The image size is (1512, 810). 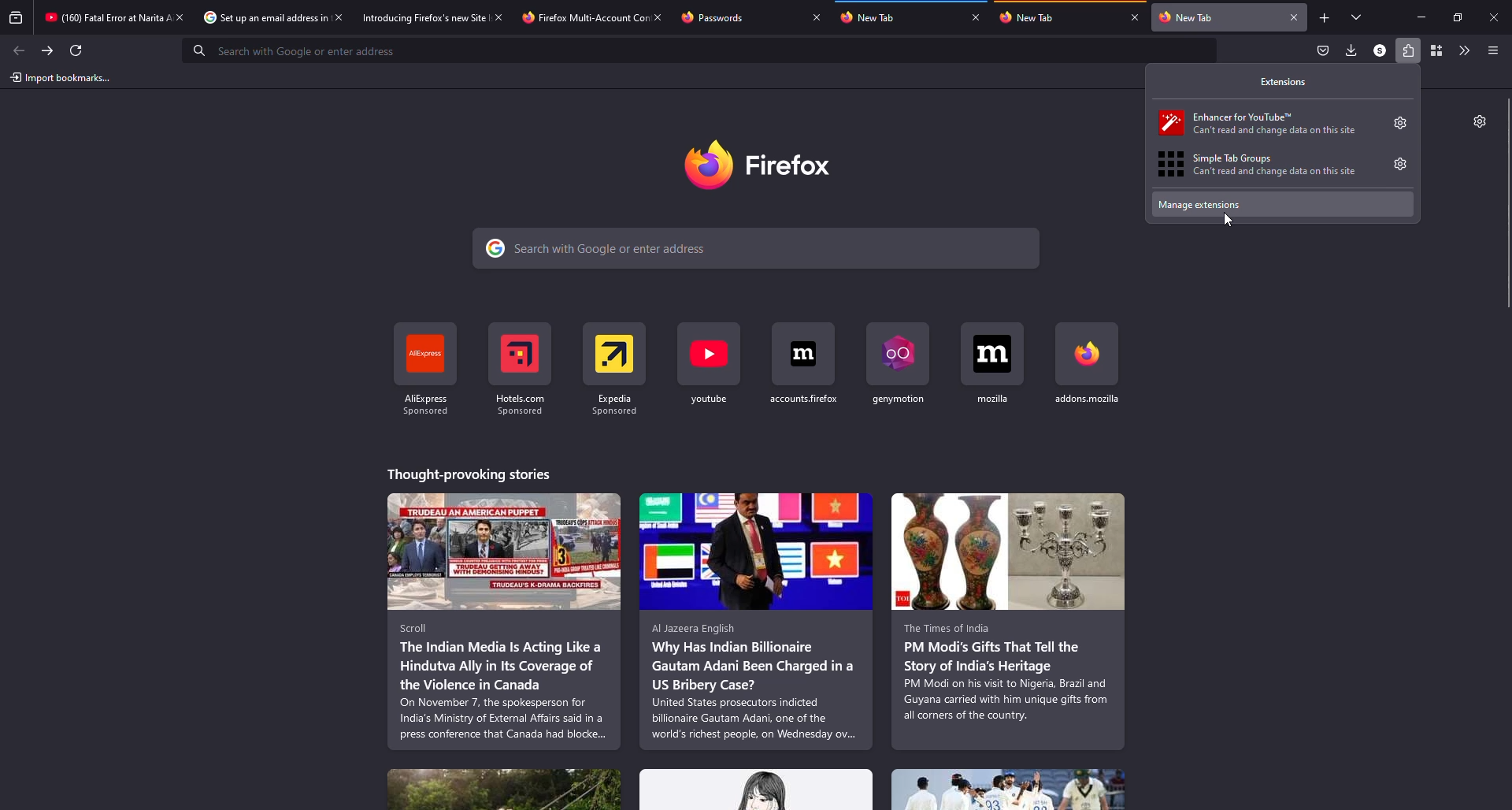 What do you see at coordinates (1295, 17) in the screenshot?
I see `close` at bounding box center [1295, 17].